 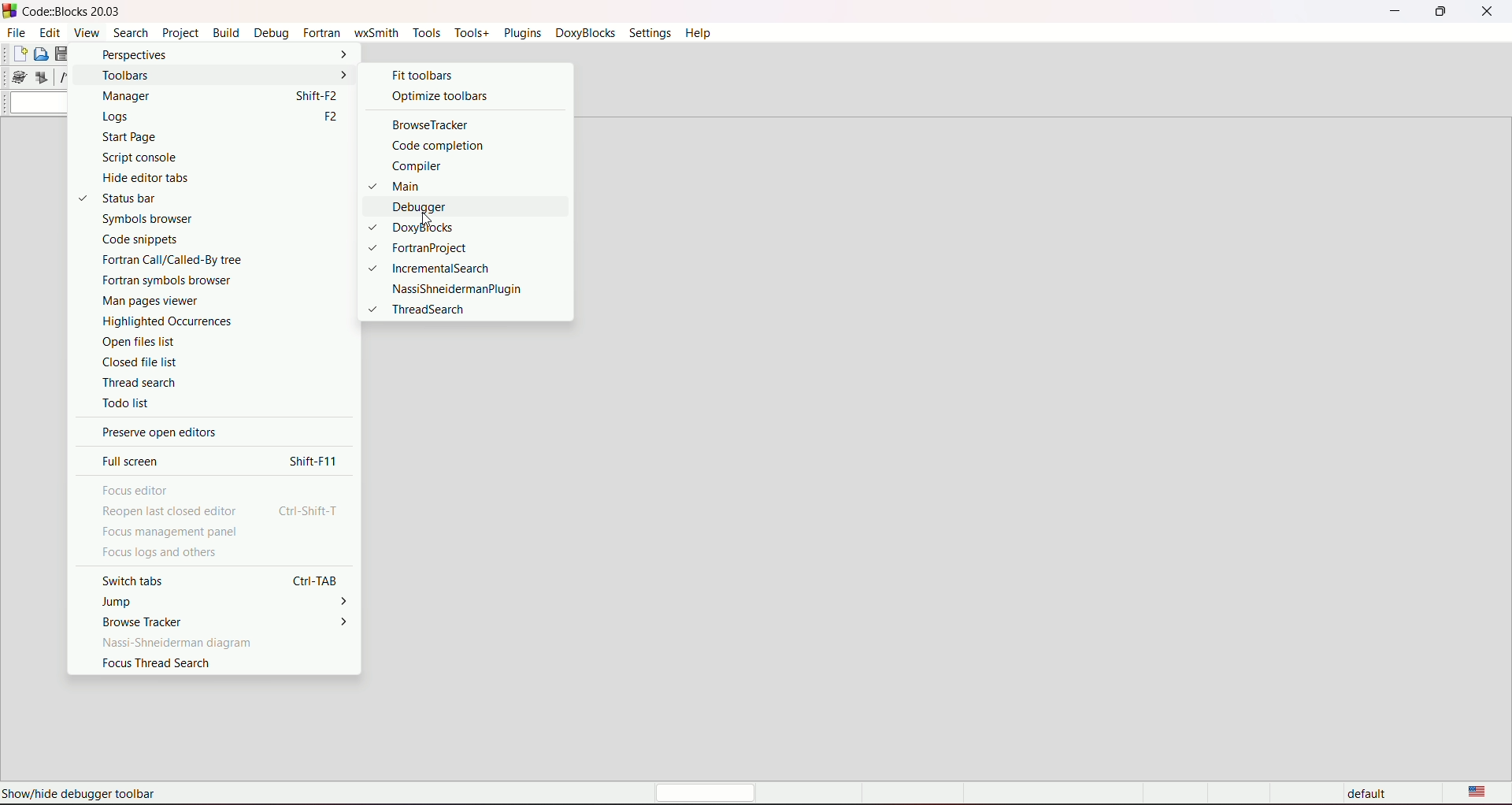 I want to click on highlighted occurances, so click(x=200, y=321).